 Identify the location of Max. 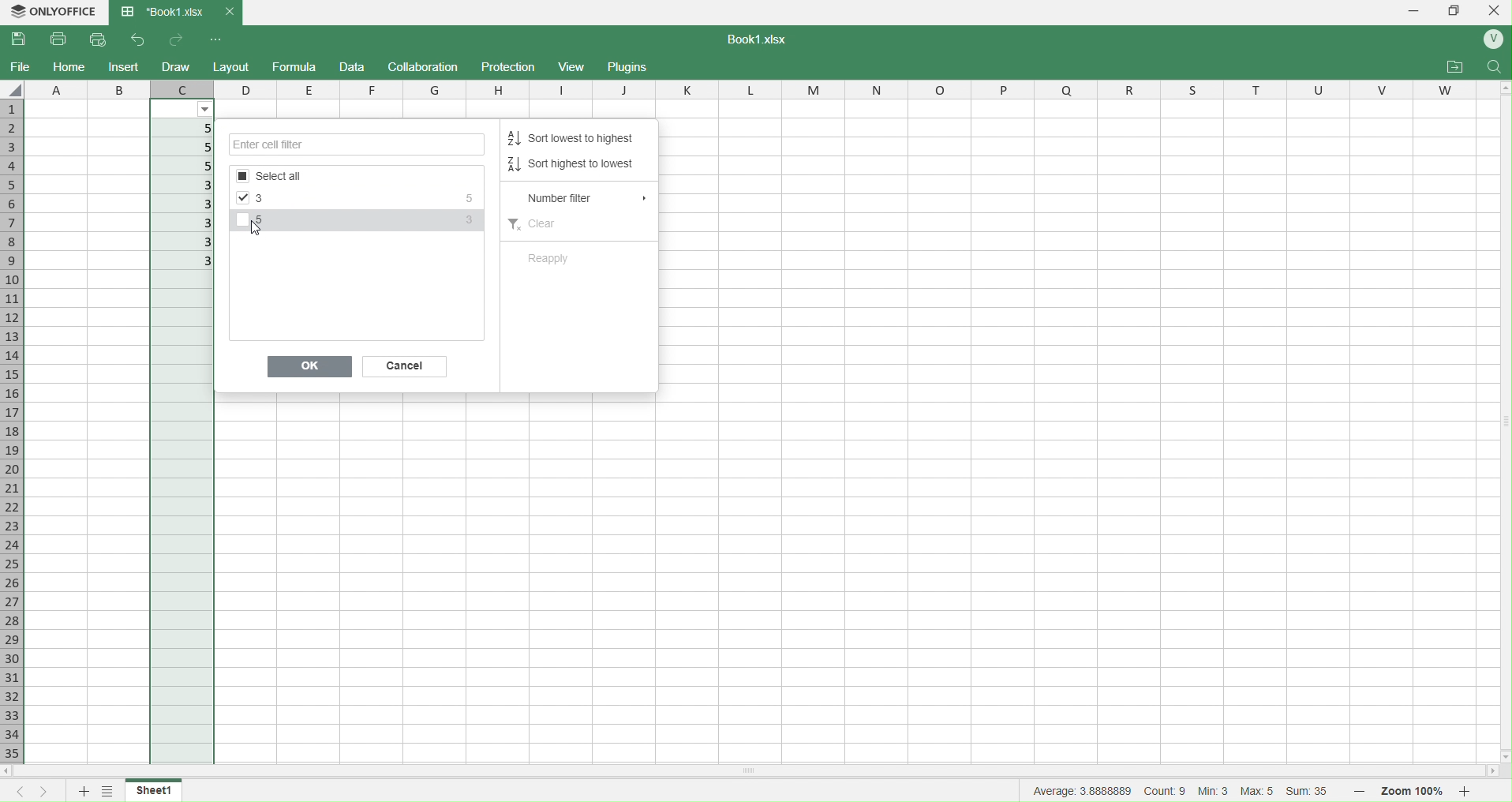
(1259, 790).